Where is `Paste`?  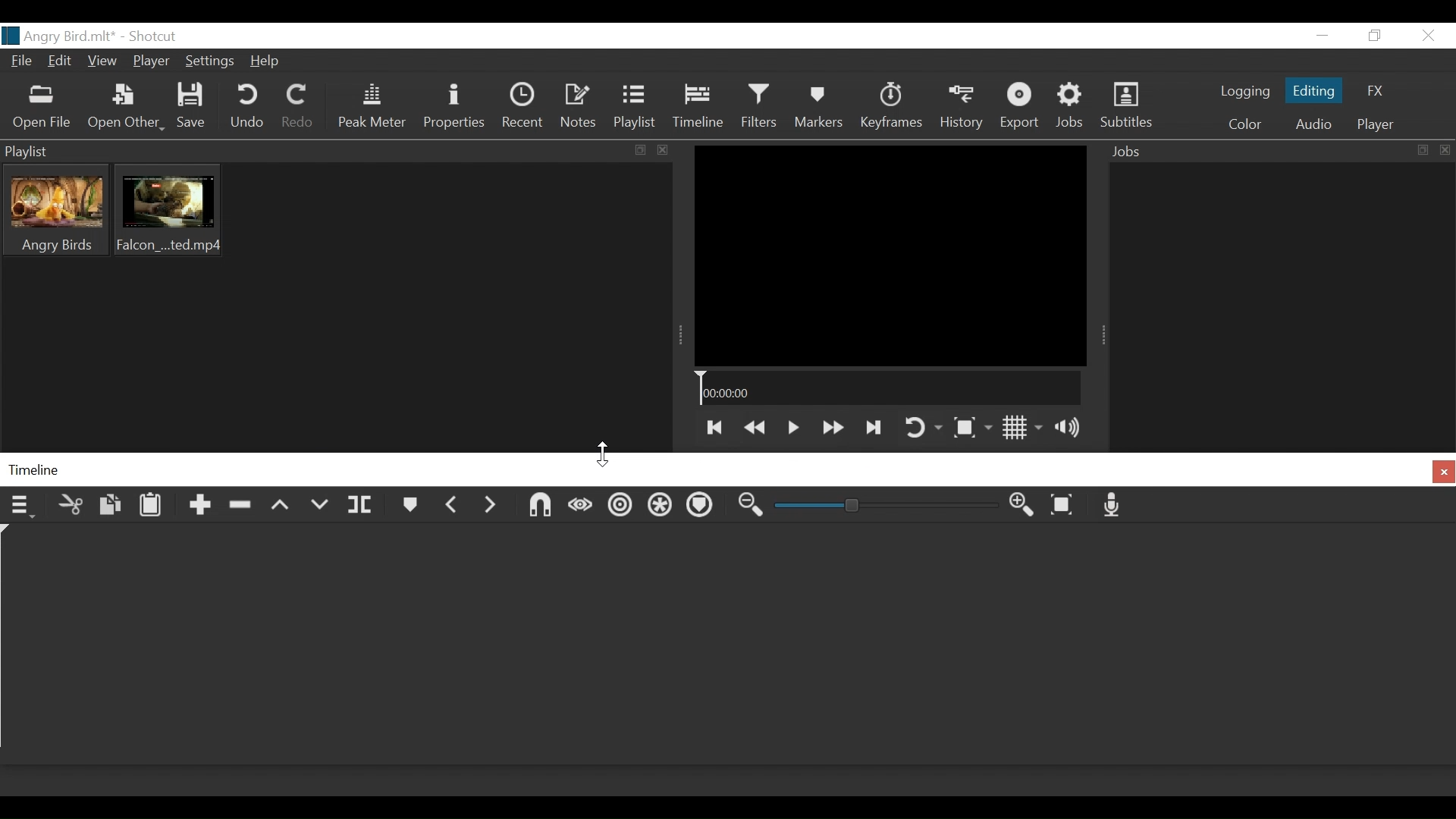 Paste is located at coordinates (155, 508).